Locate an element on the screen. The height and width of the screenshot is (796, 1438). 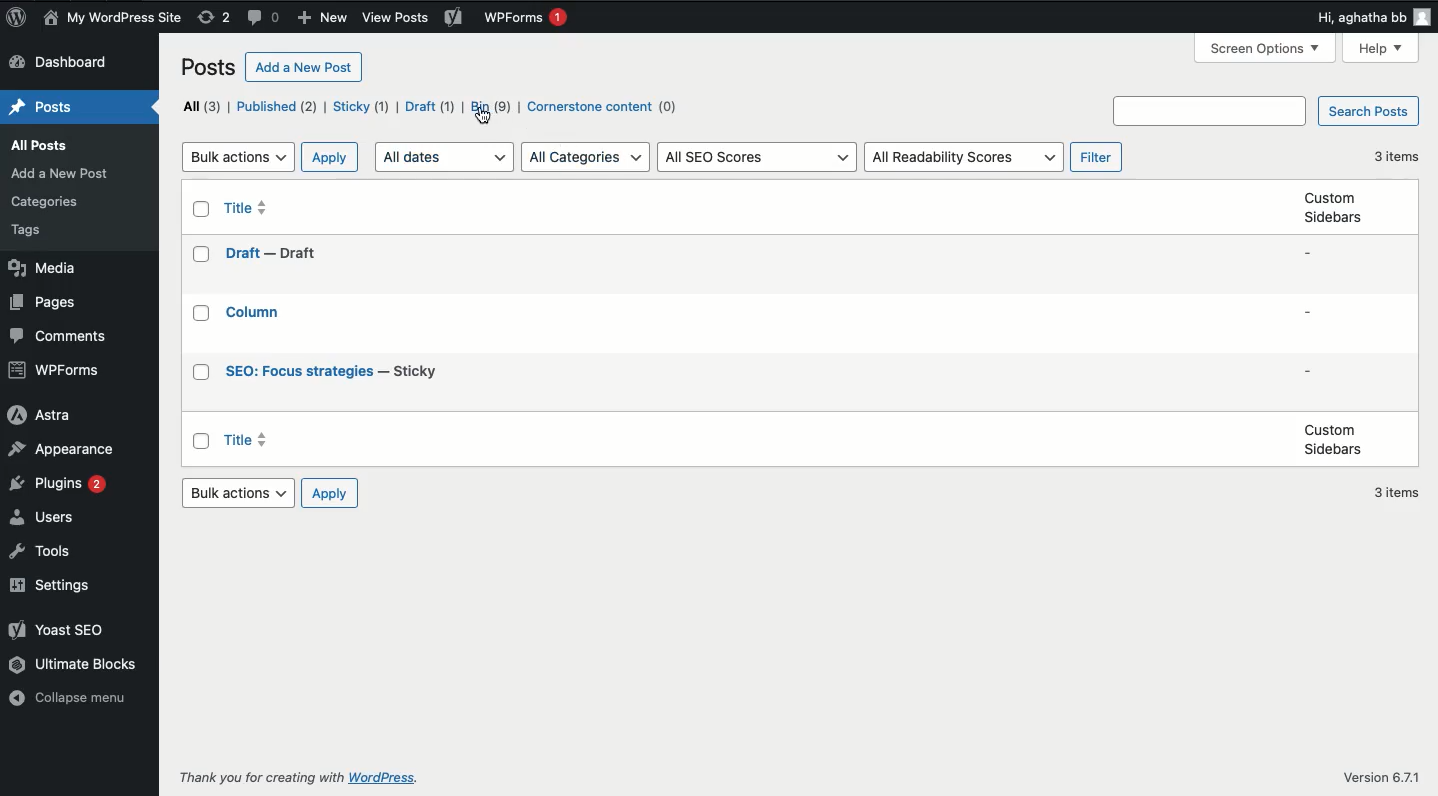
Apply is located at coordinates (329, 158).